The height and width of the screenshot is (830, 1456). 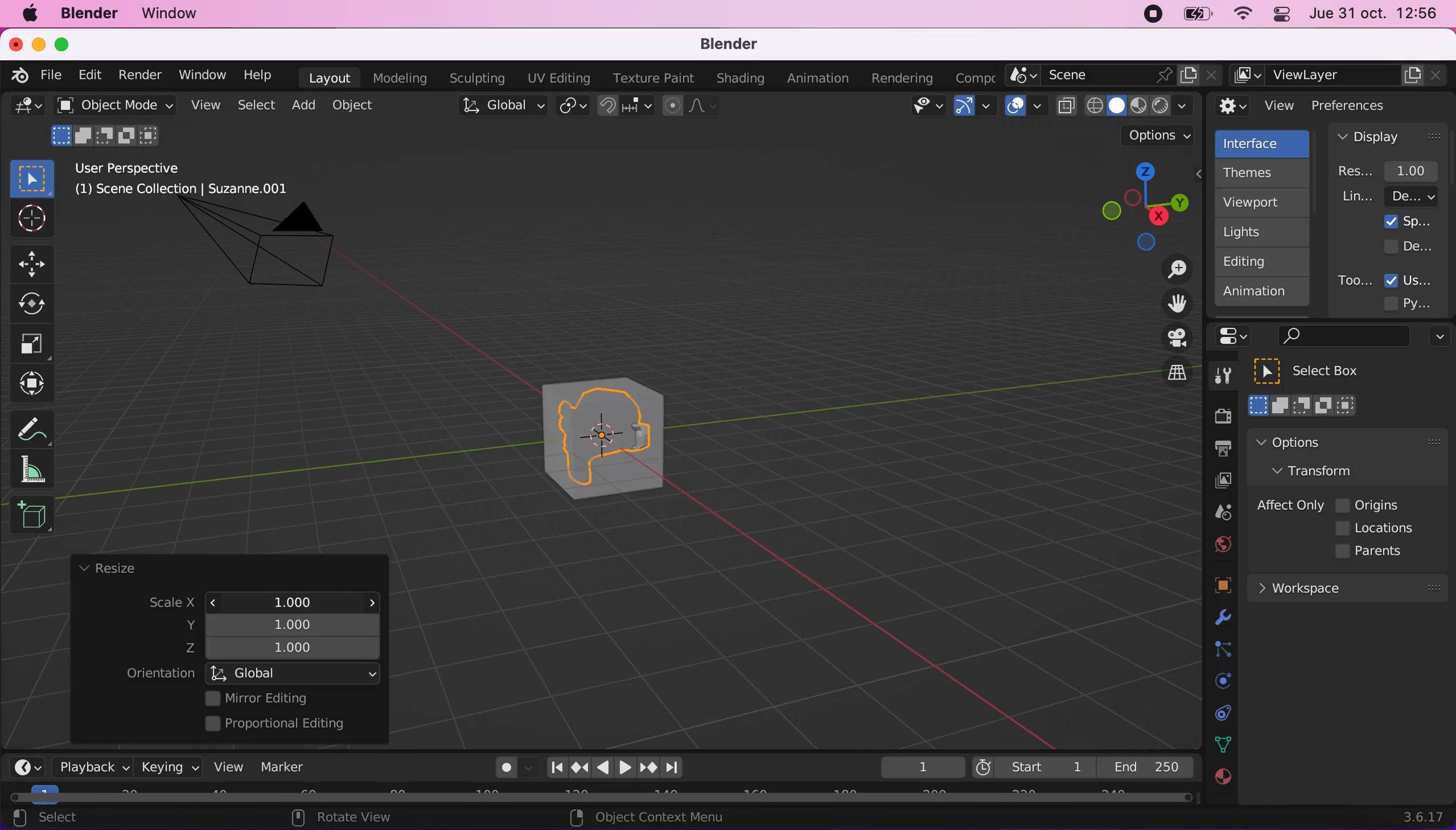 What do you see at coordinates (1320, 442) in the screenshot?
I see `options` at bounding box center [1320, 442].